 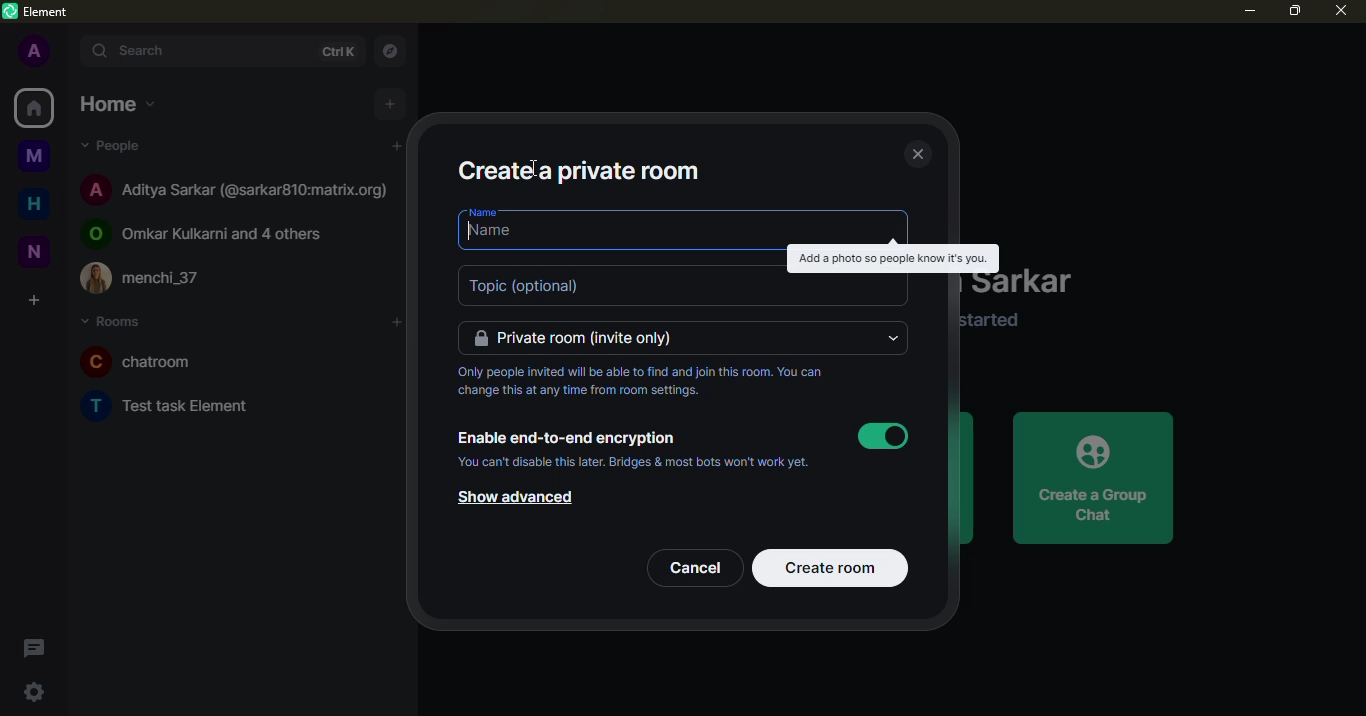 I want to click on quick settings, so click(x=33, y=690).